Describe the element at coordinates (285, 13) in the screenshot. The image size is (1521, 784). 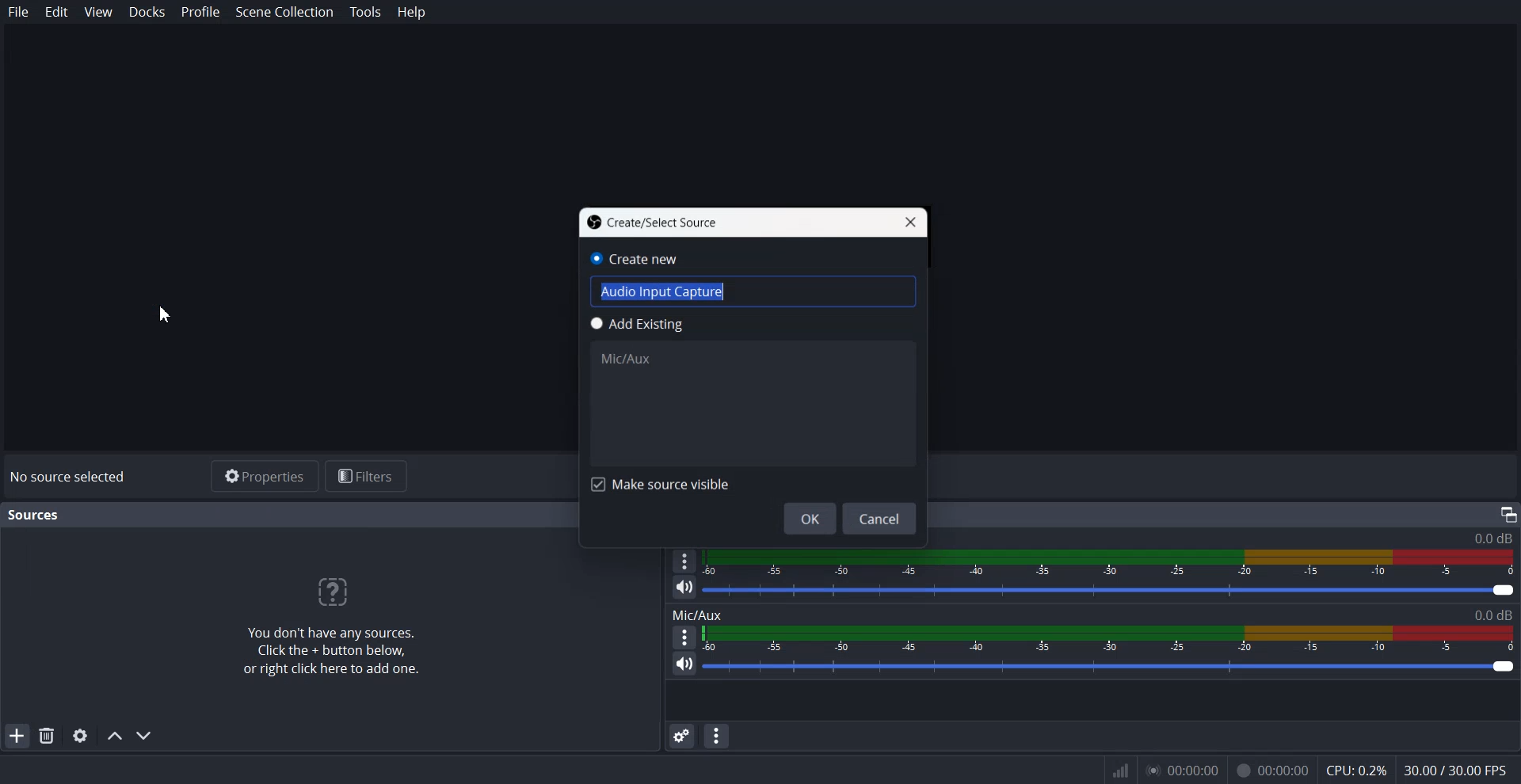
I see `Scene Collection` at that location.